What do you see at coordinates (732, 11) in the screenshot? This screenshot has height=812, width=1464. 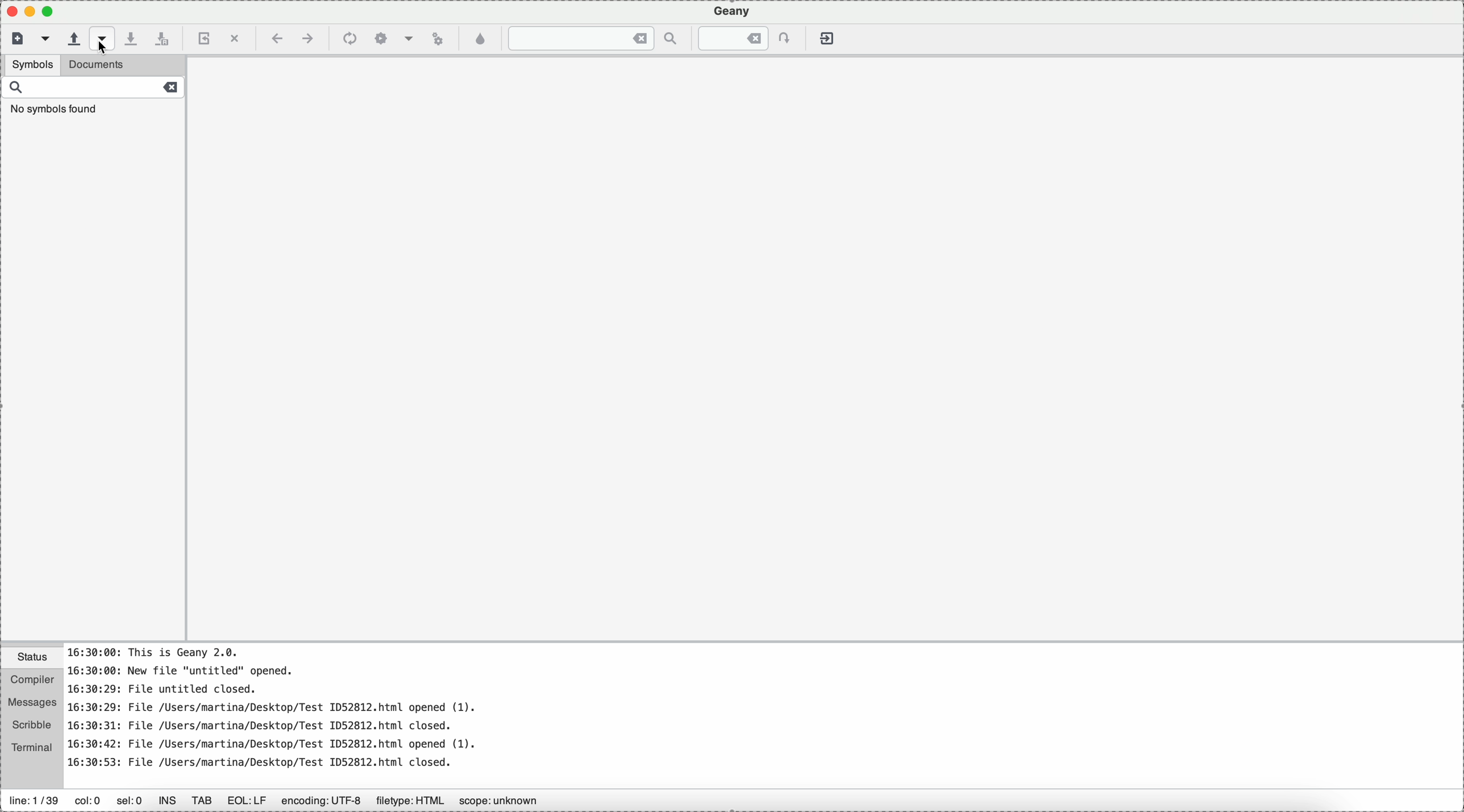 I see `Geany` at bounding box center [732, 11].